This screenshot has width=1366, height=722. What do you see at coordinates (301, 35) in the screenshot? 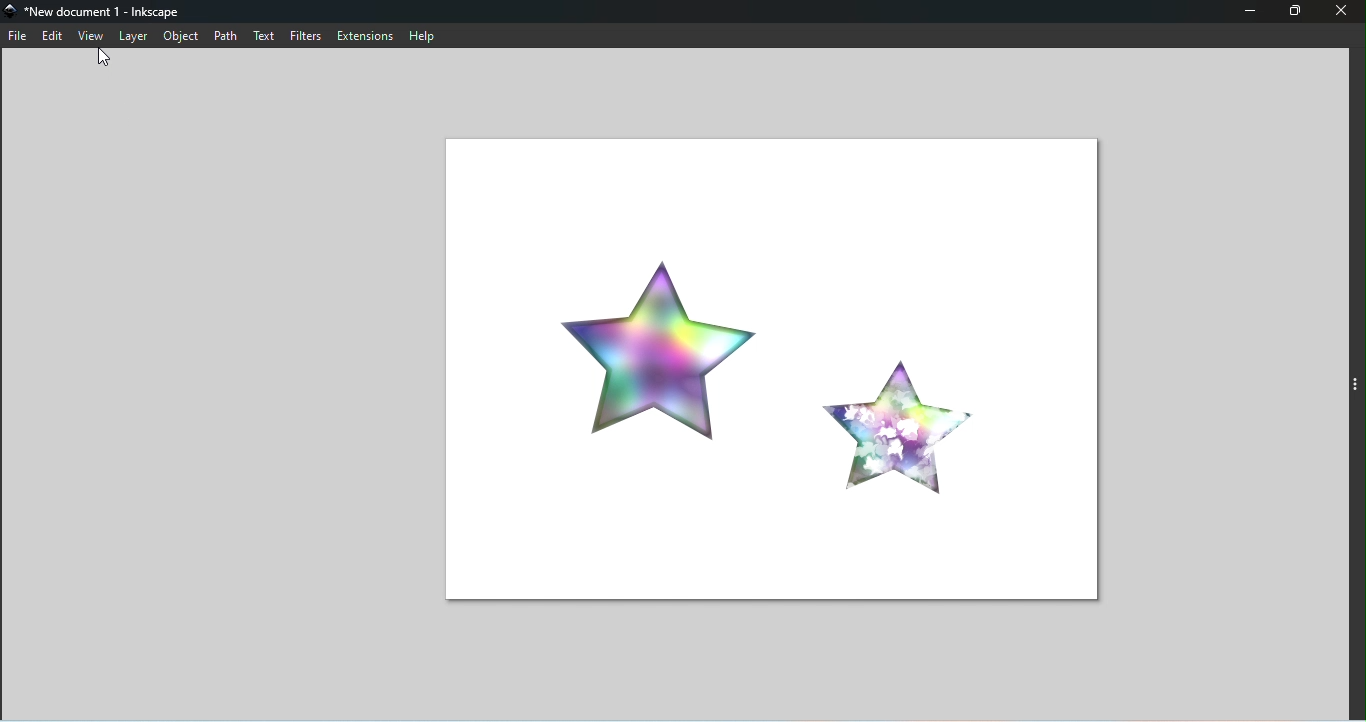
I see `Filters` at bounding box center [301, 35].